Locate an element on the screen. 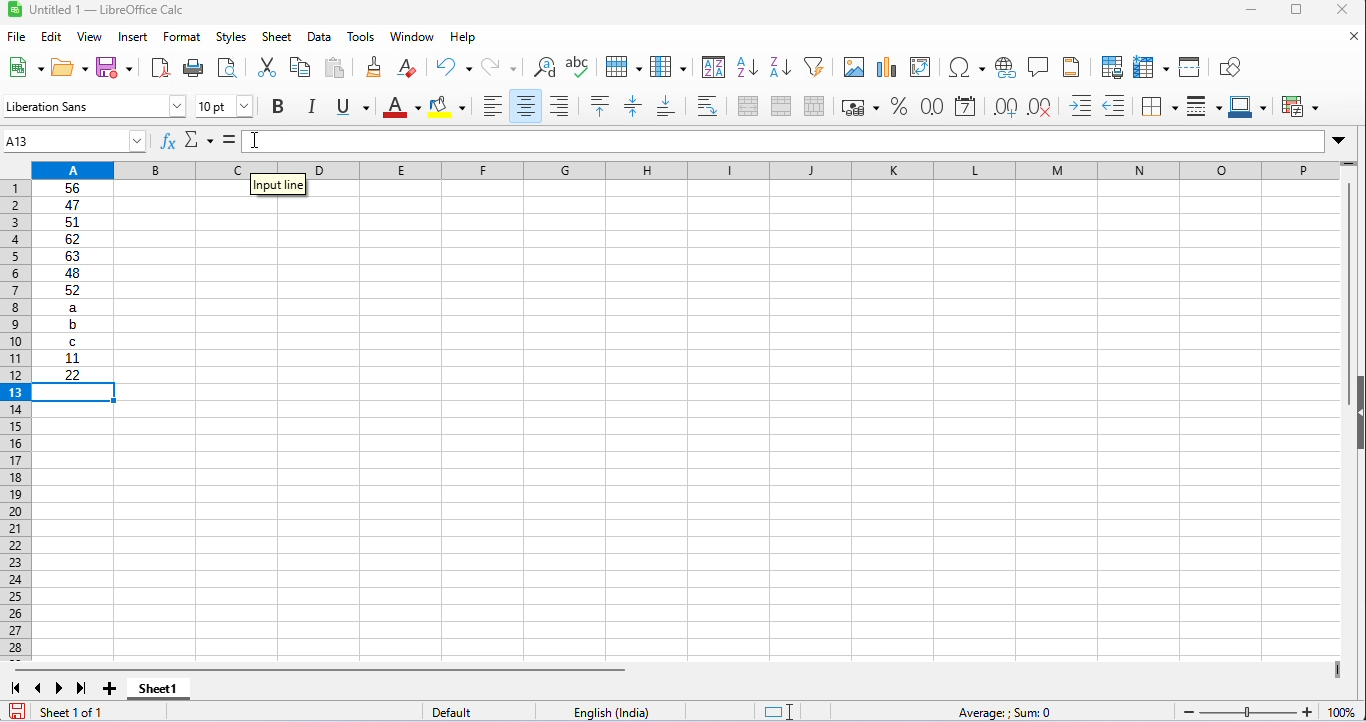 Image resolution: width=1366 pixels, height=722 pixels. font size is located at coordinates (225, 106).